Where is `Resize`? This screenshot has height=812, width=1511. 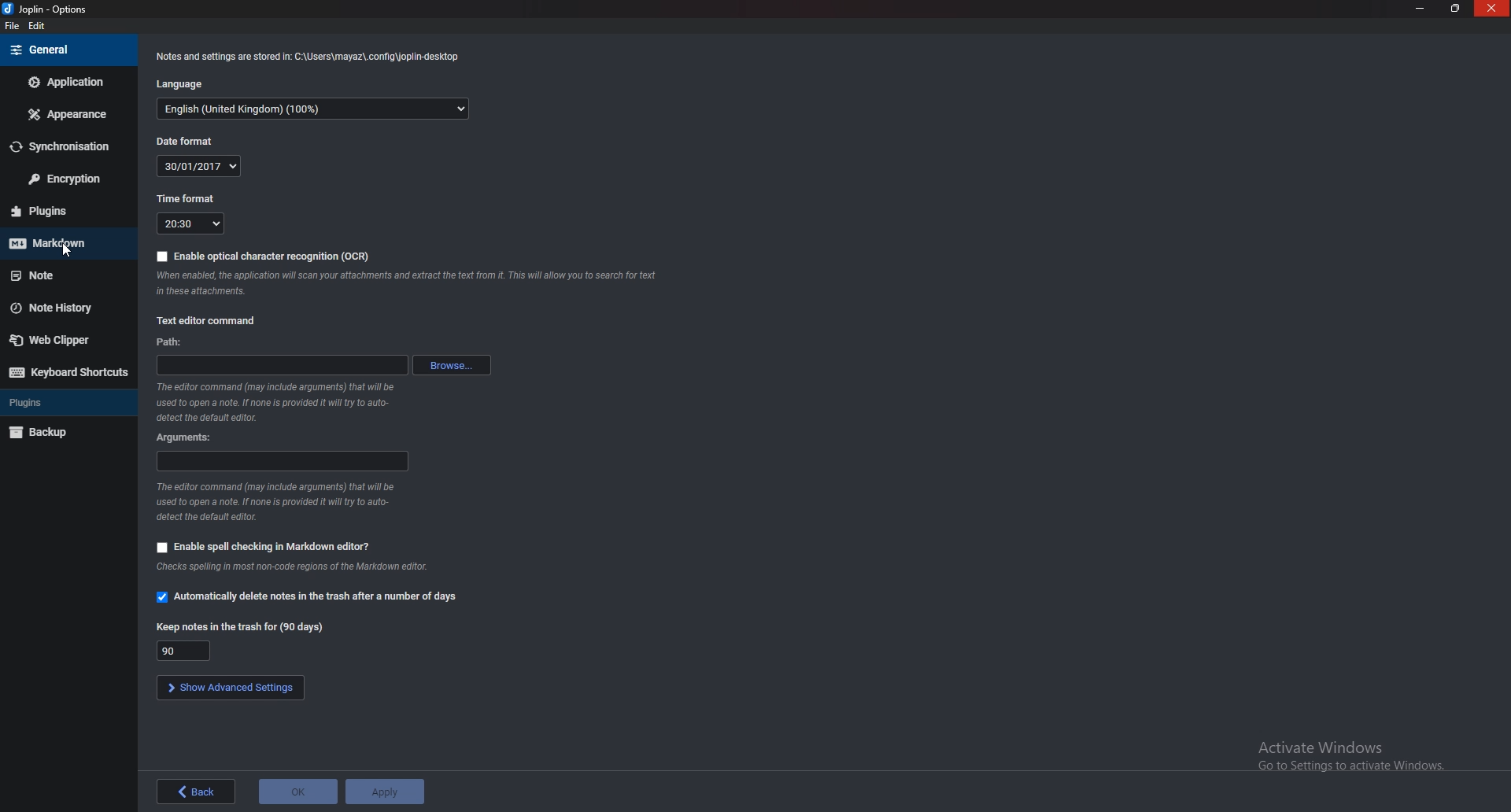
Resize is located at coordinates (1454, 8).